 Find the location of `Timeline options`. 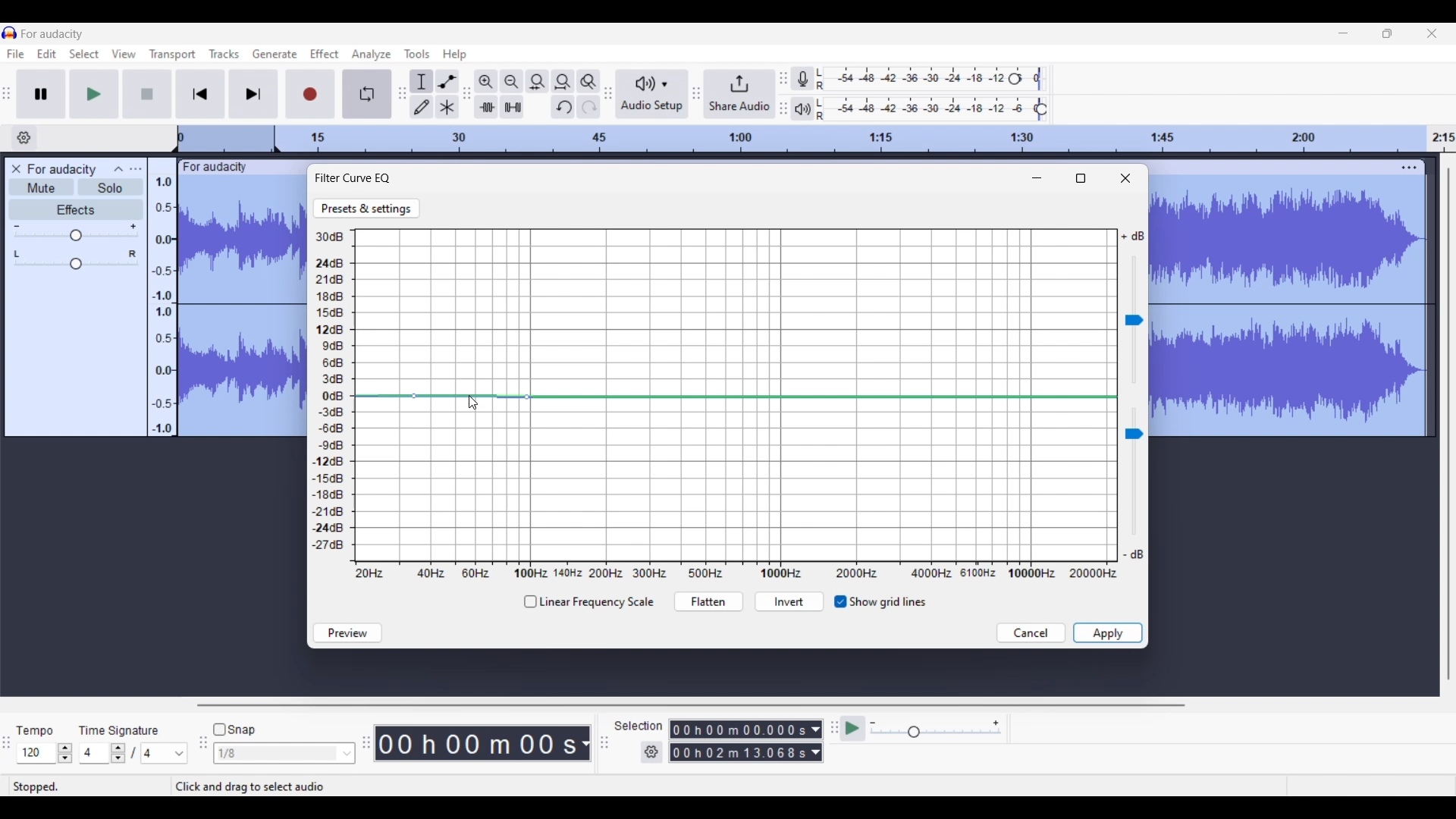

Timeline options is located at coordinates (25, 137).